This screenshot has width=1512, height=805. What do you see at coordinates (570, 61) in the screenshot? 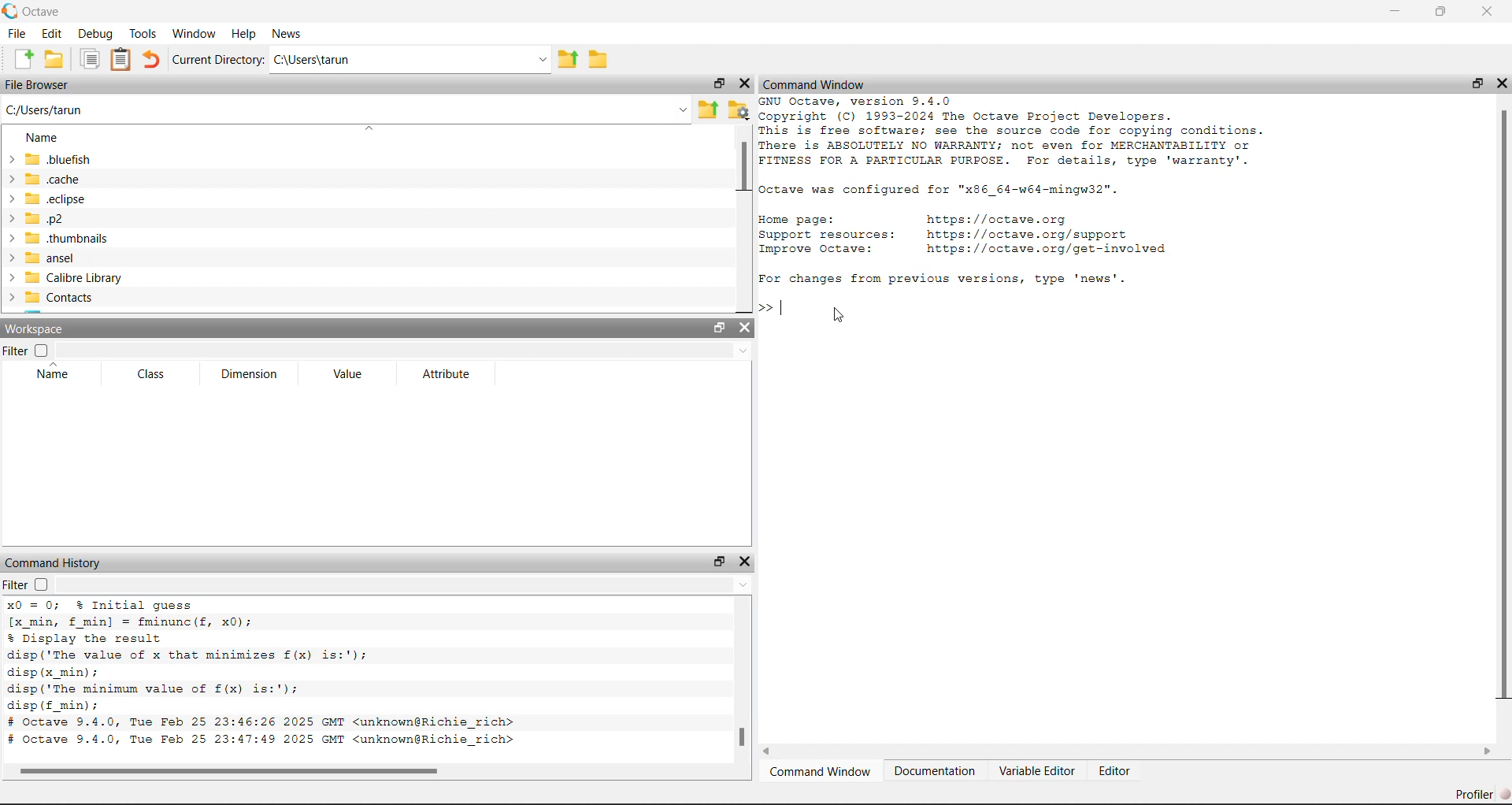
I see `one directory up` at bounding box center [570, 61].